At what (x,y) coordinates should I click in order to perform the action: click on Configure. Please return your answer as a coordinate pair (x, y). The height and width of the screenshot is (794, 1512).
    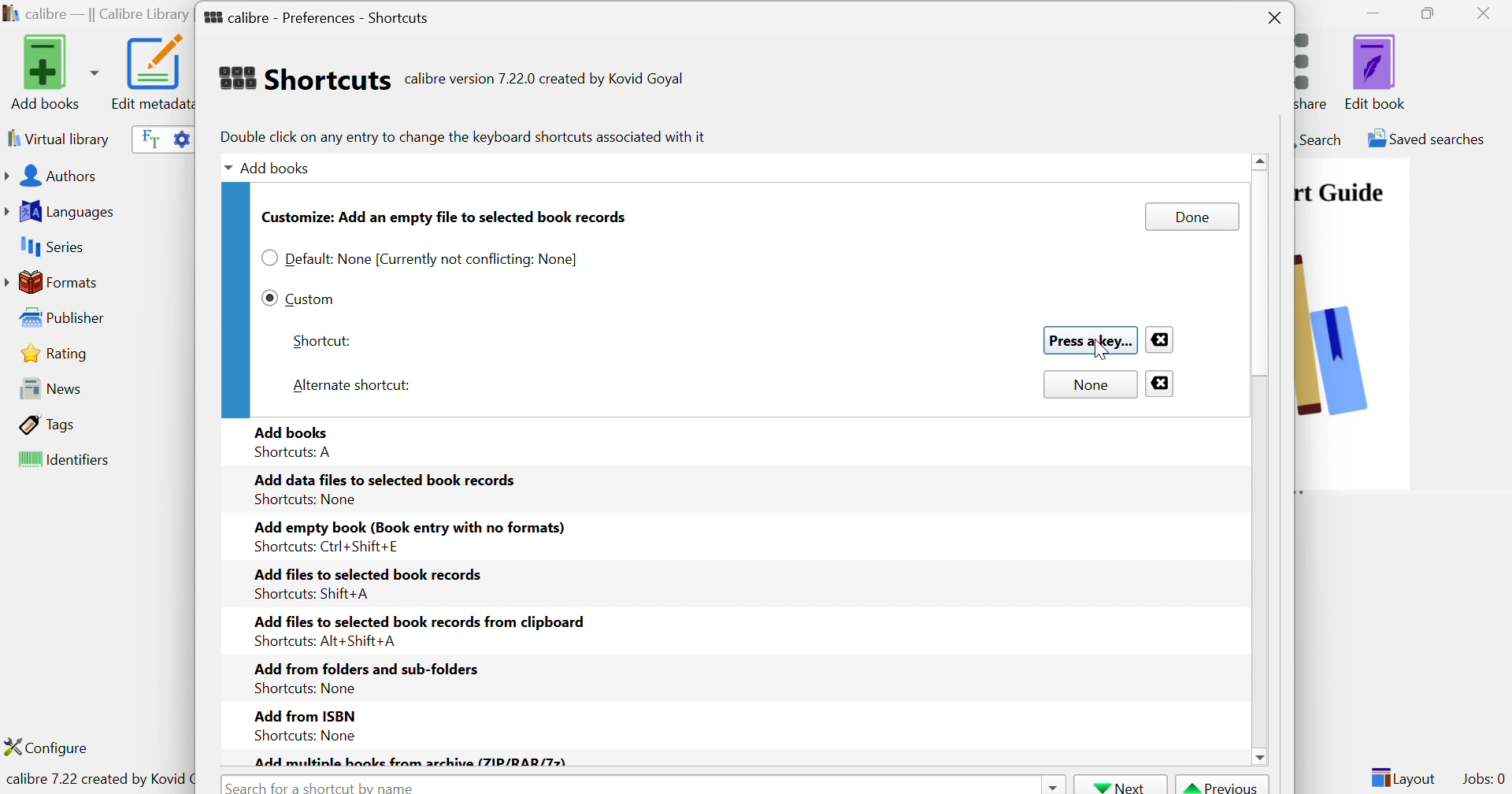
    Looking at the image, I should click on (53, 747).